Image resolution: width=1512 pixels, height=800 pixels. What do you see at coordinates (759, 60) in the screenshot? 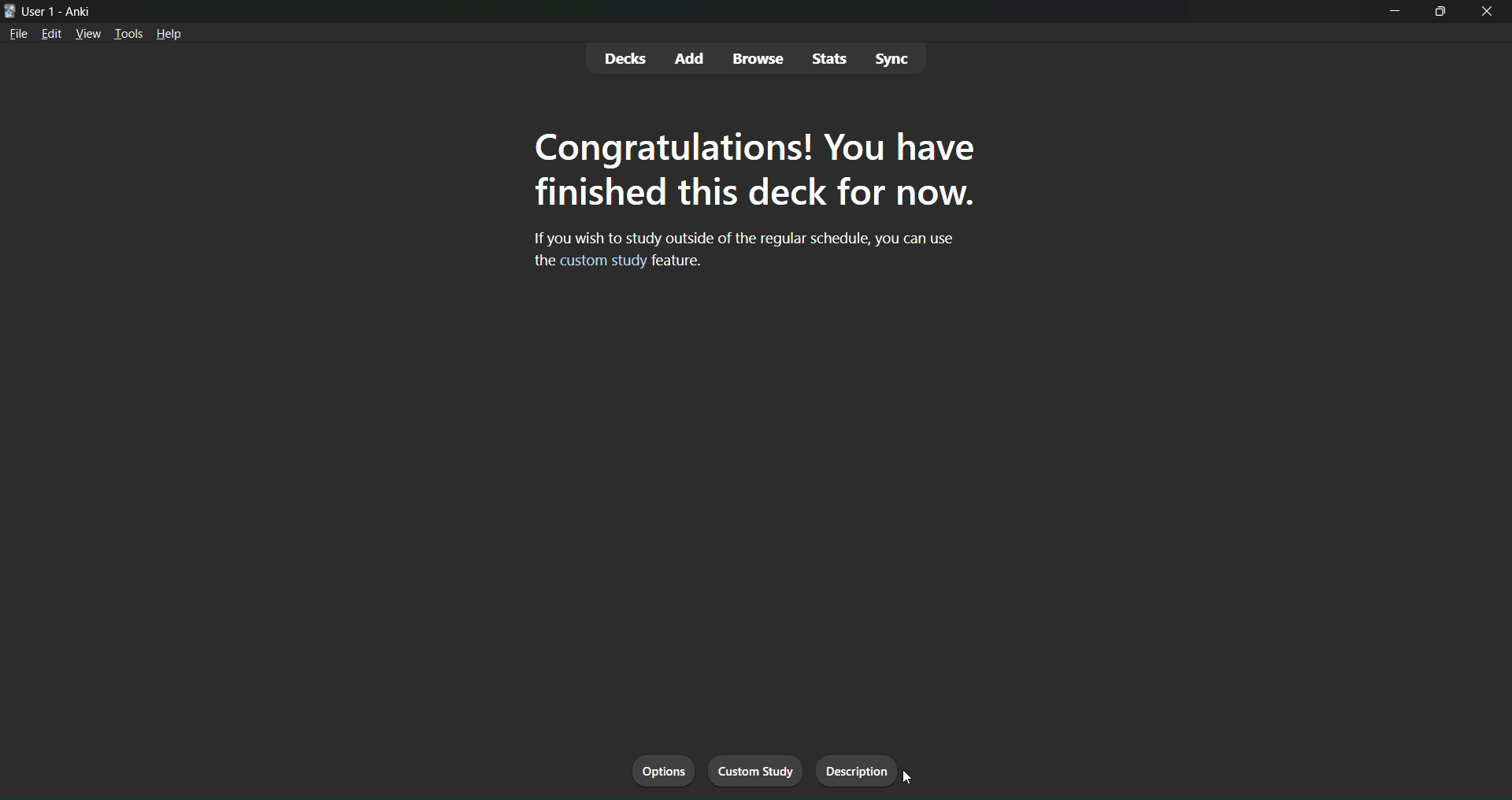
I see `browse` at bounding box center [759, 60].